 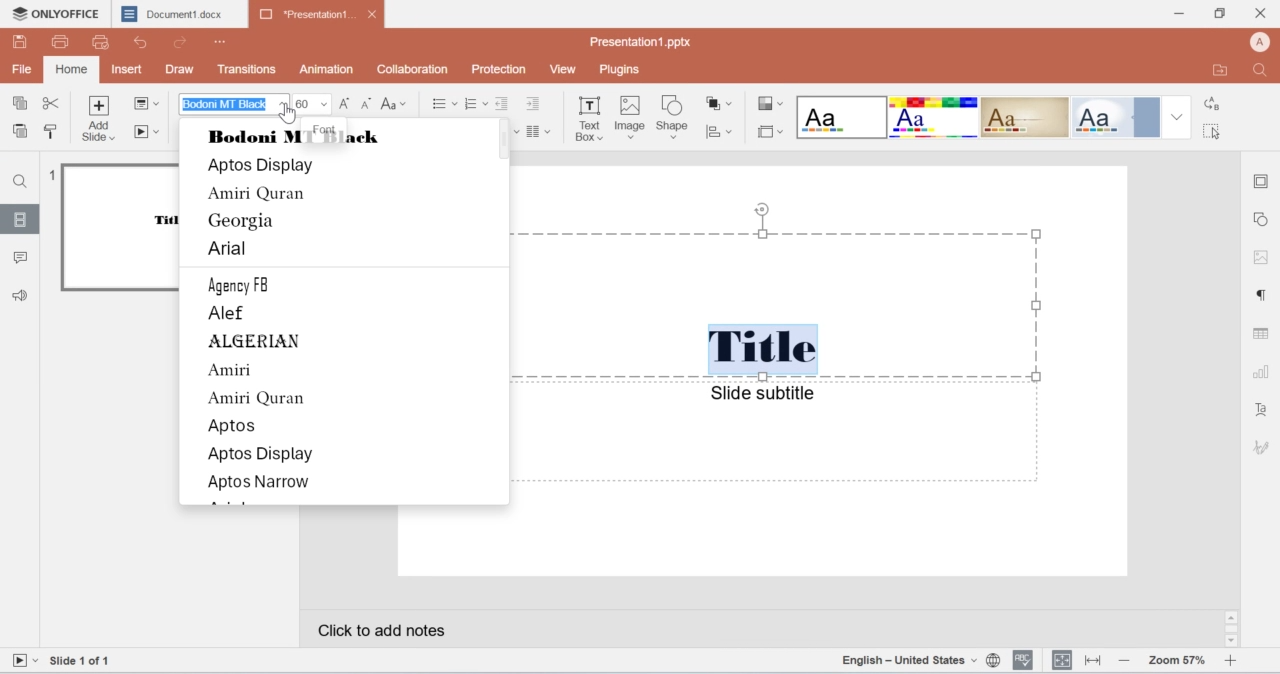 What do you see at coordinates (149, 133) in the screenshot?
I see `play` at bounding box center [149, 133].